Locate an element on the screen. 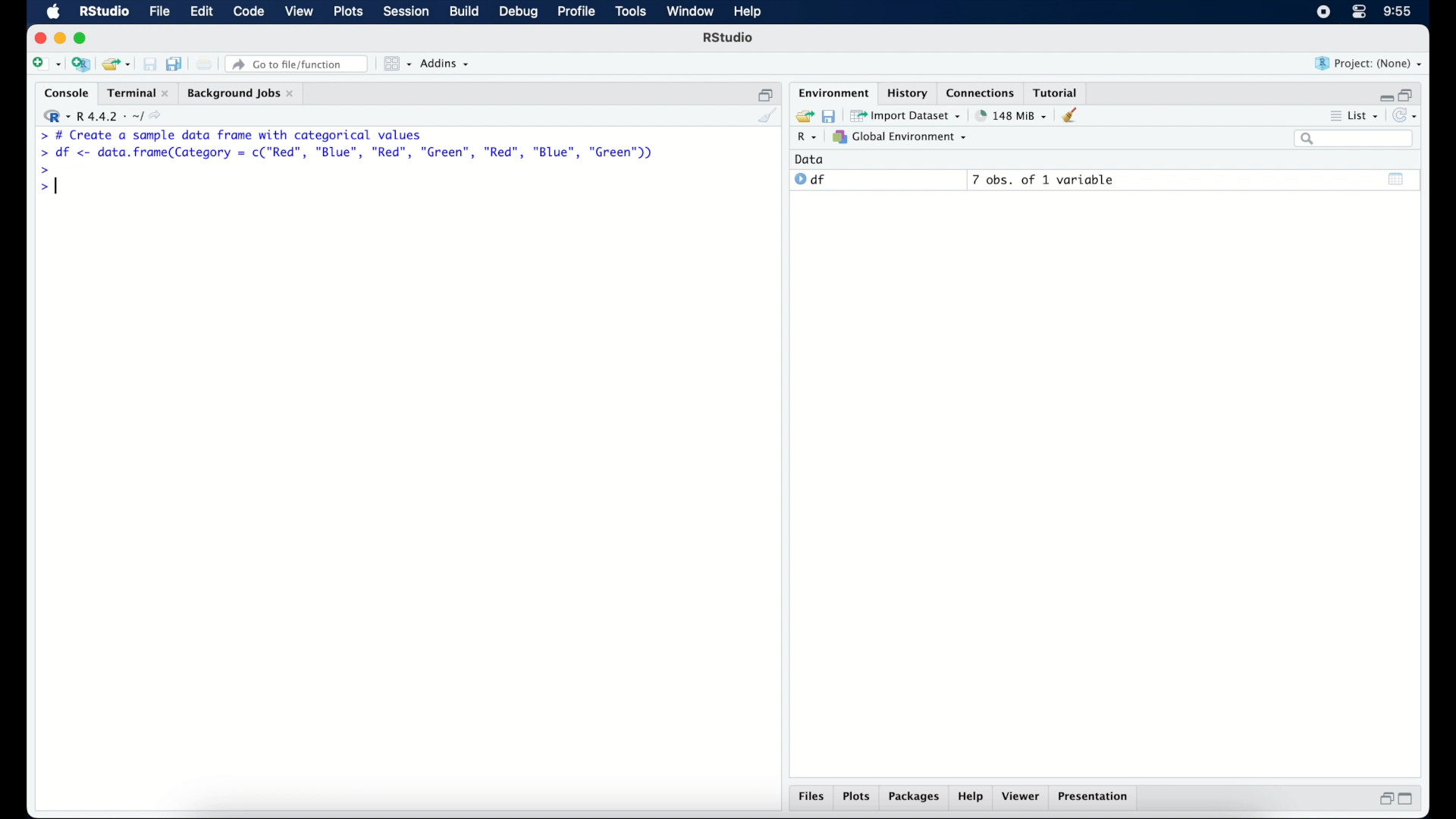 The width and height of the screenshot is (1456, 819). command prompt is located at coordinates (45, 169).